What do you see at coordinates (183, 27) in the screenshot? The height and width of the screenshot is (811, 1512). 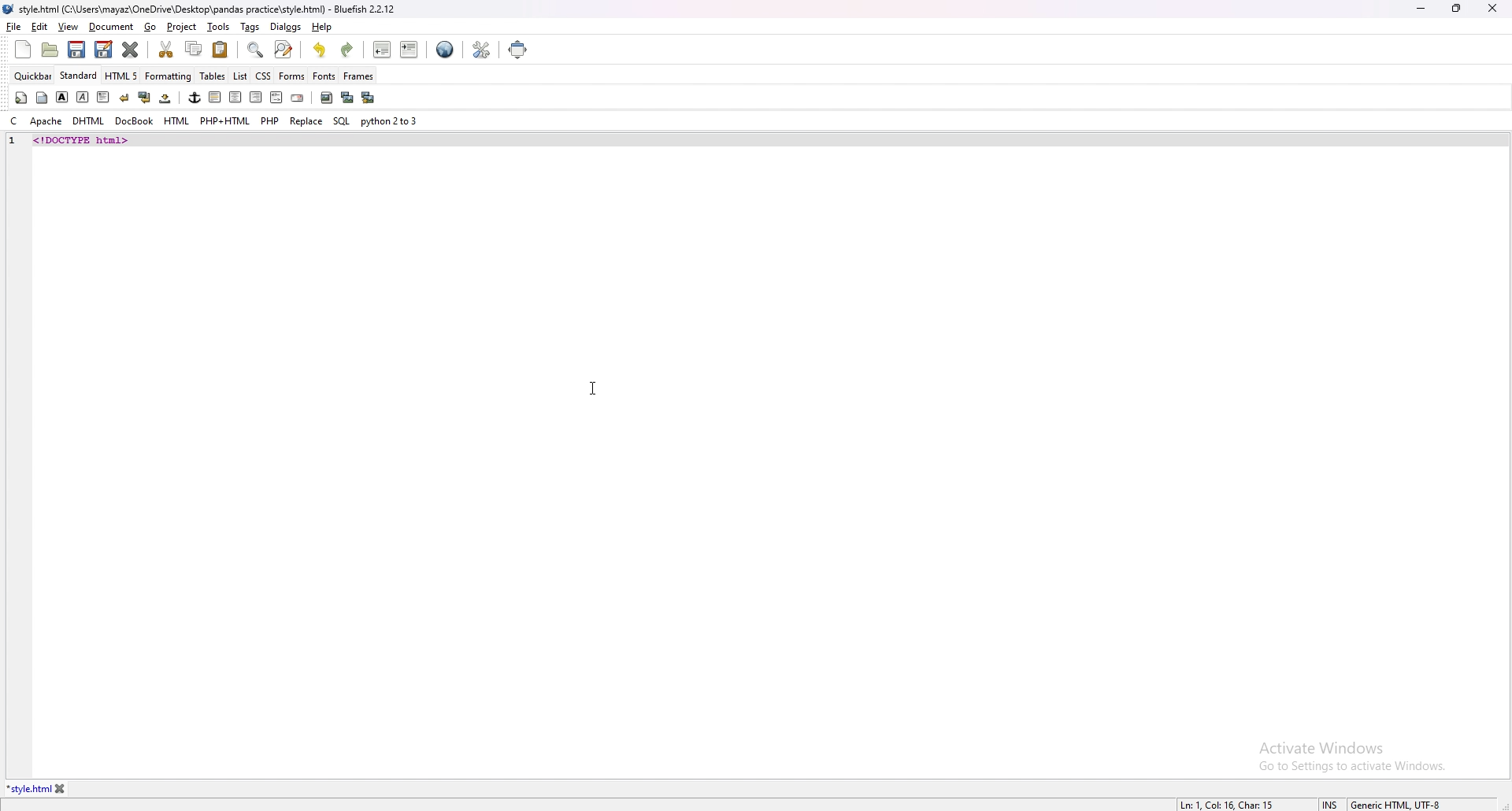 I see `project` at bounding box center [183, 27].